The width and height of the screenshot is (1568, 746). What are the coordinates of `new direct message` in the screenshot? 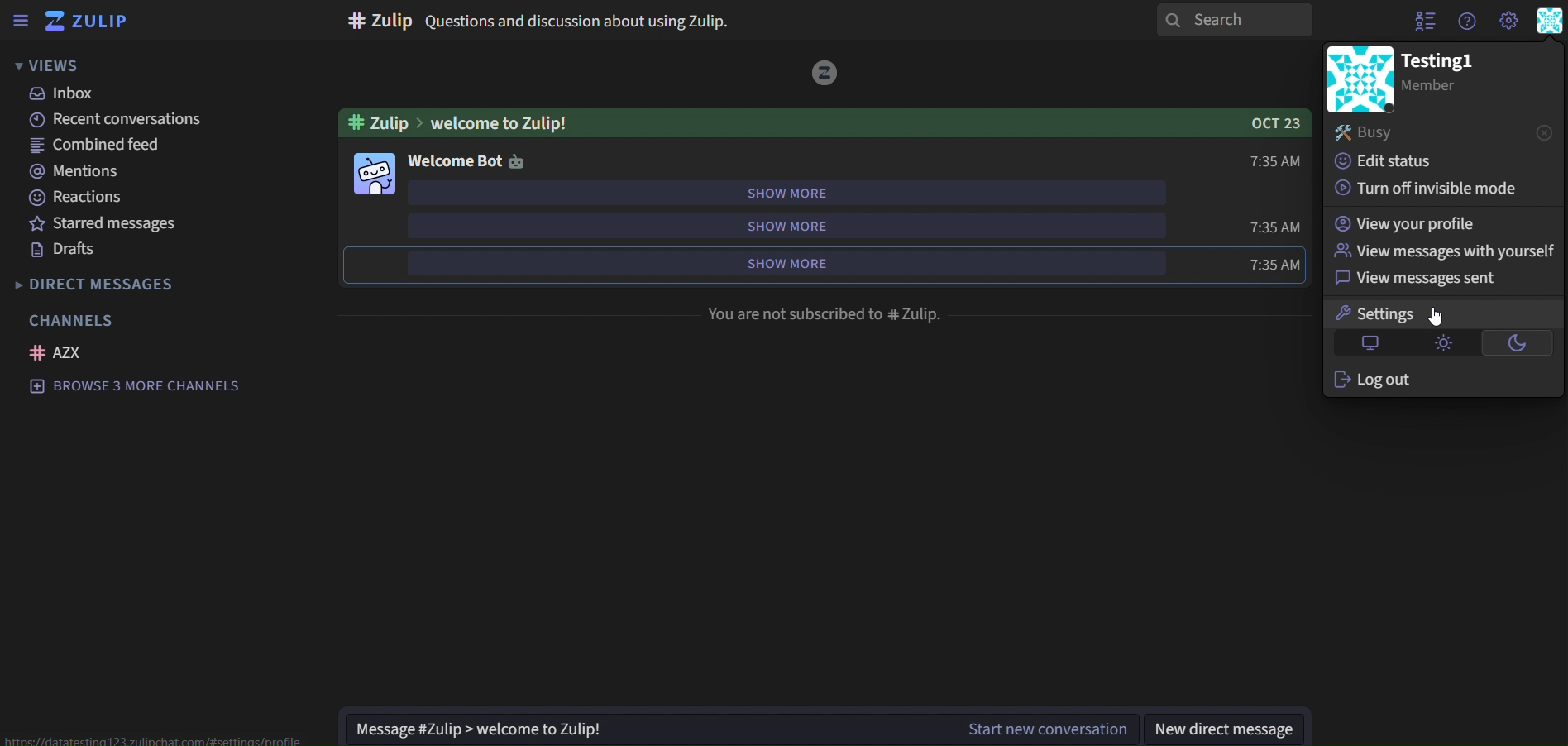 It's located at (1224, 726).